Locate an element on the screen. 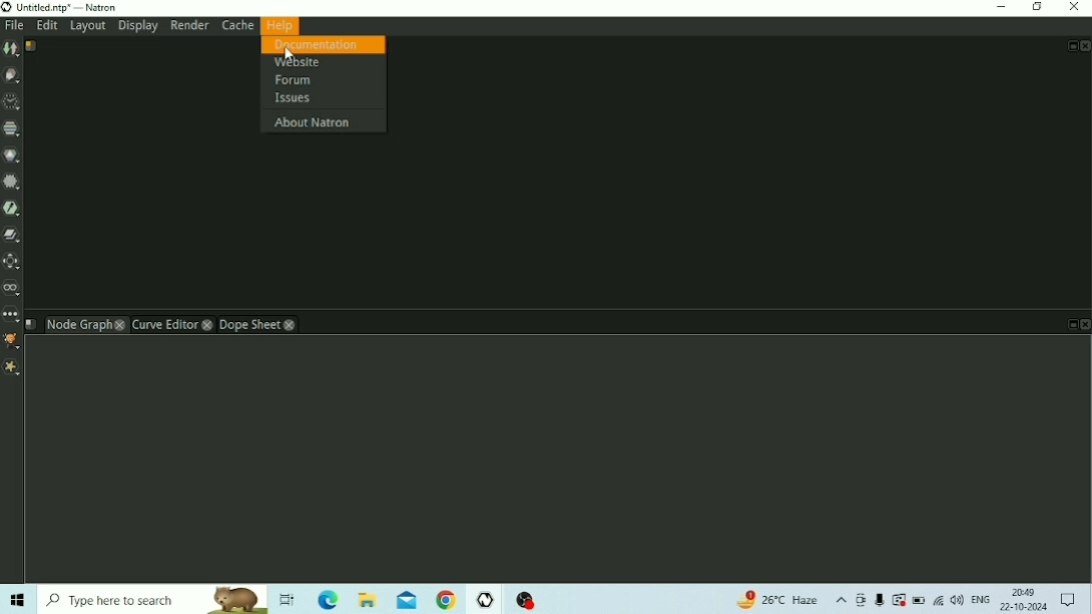  GMIC is located at coordinates (11, 341).